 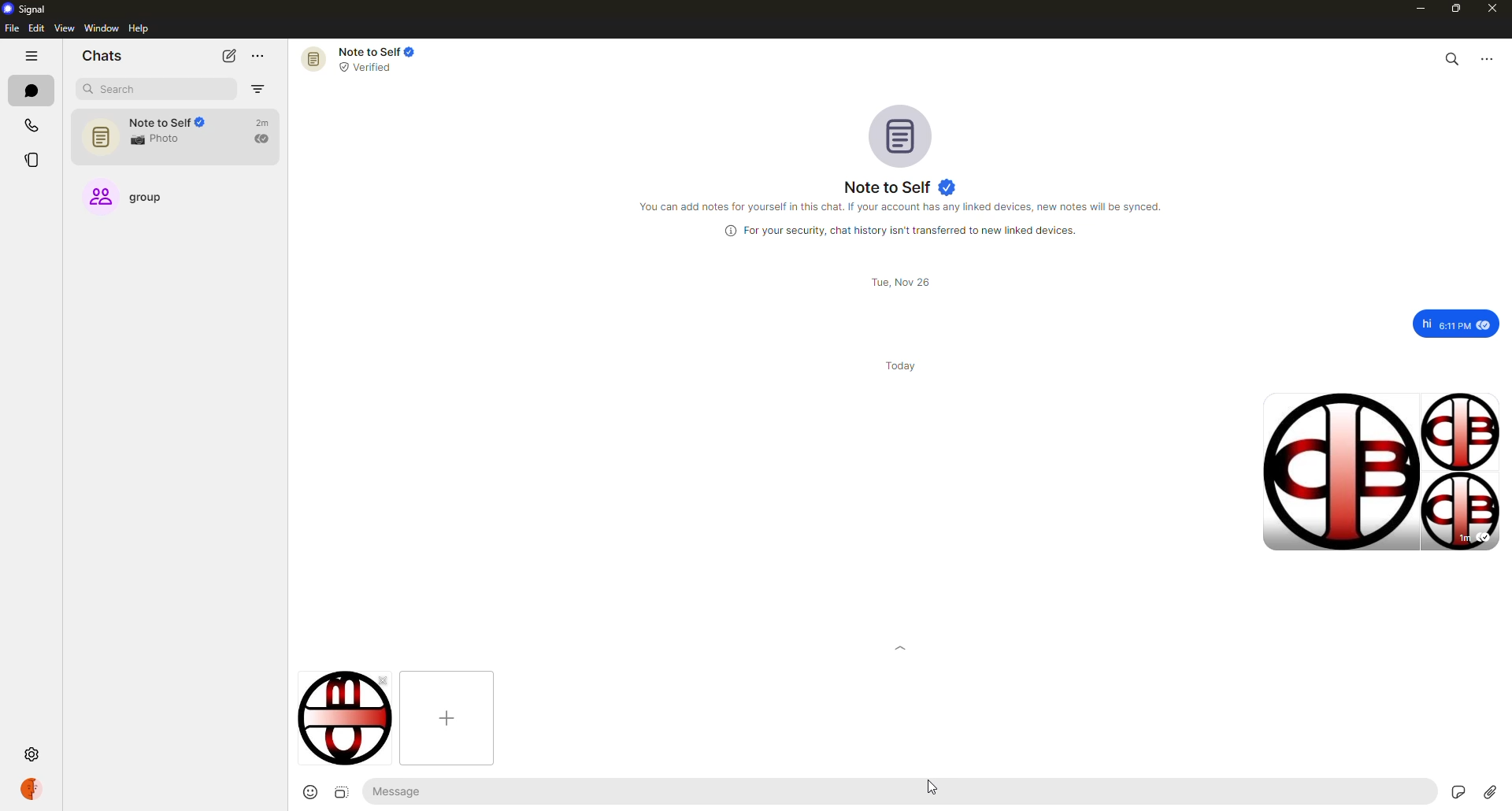 What do you see at coordinates (10, 29) in the screenshot?
I see `file` at bounding box center [10, 29].